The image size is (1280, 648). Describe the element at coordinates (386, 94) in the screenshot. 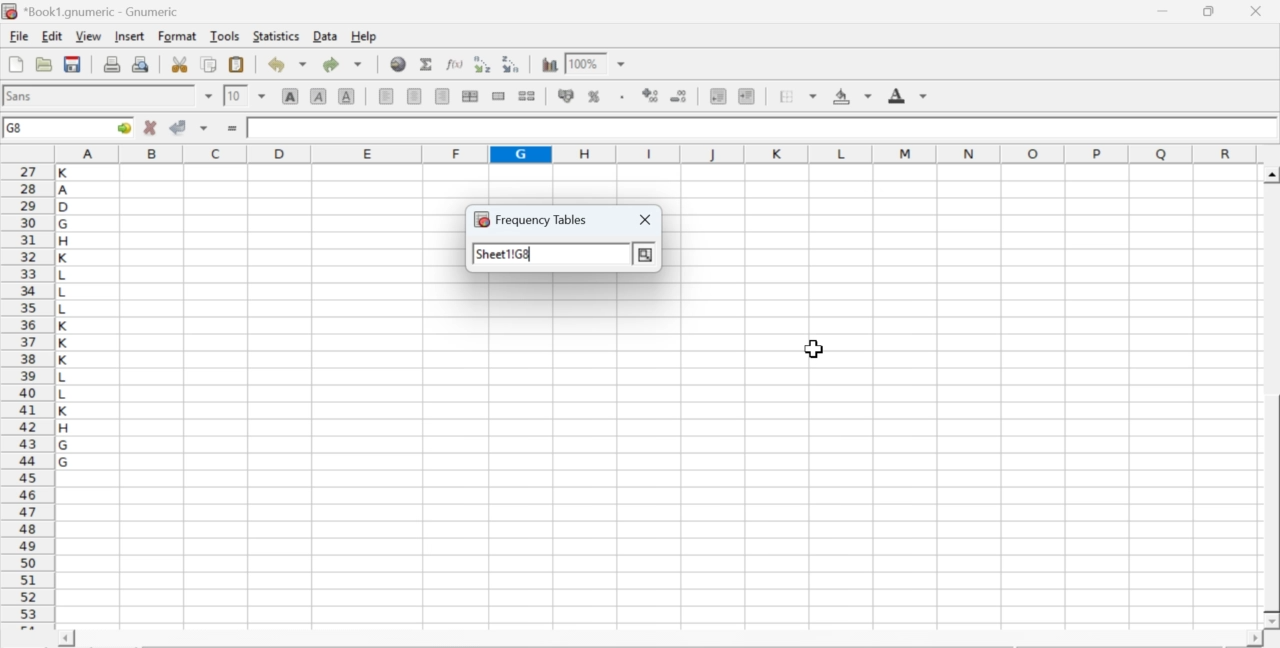

I see `align left` at that location.